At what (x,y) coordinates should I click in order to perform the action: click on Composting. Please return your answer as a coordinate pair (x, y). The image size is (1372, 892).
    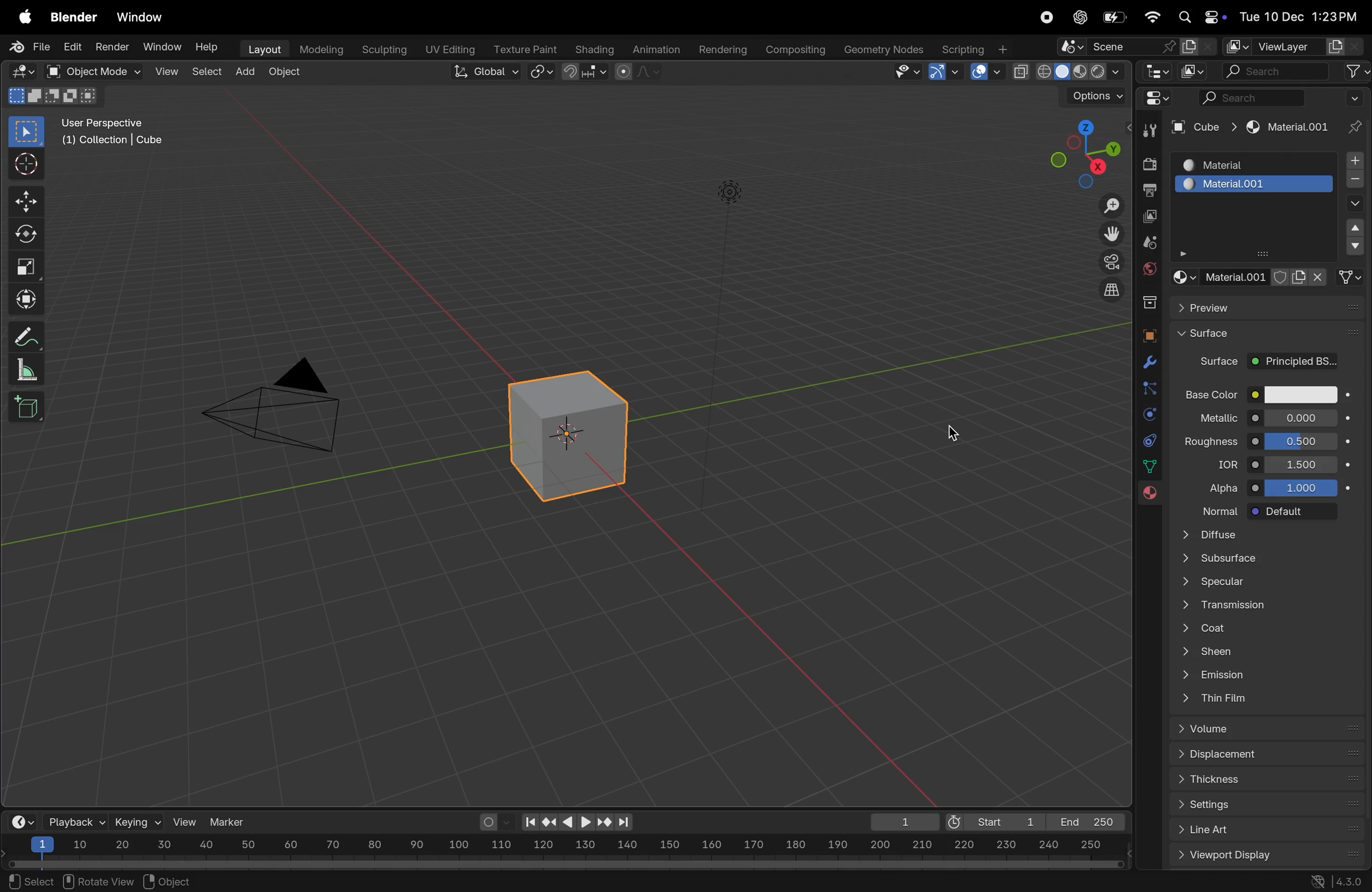
    Looking at the image, I should click on (796, 50).